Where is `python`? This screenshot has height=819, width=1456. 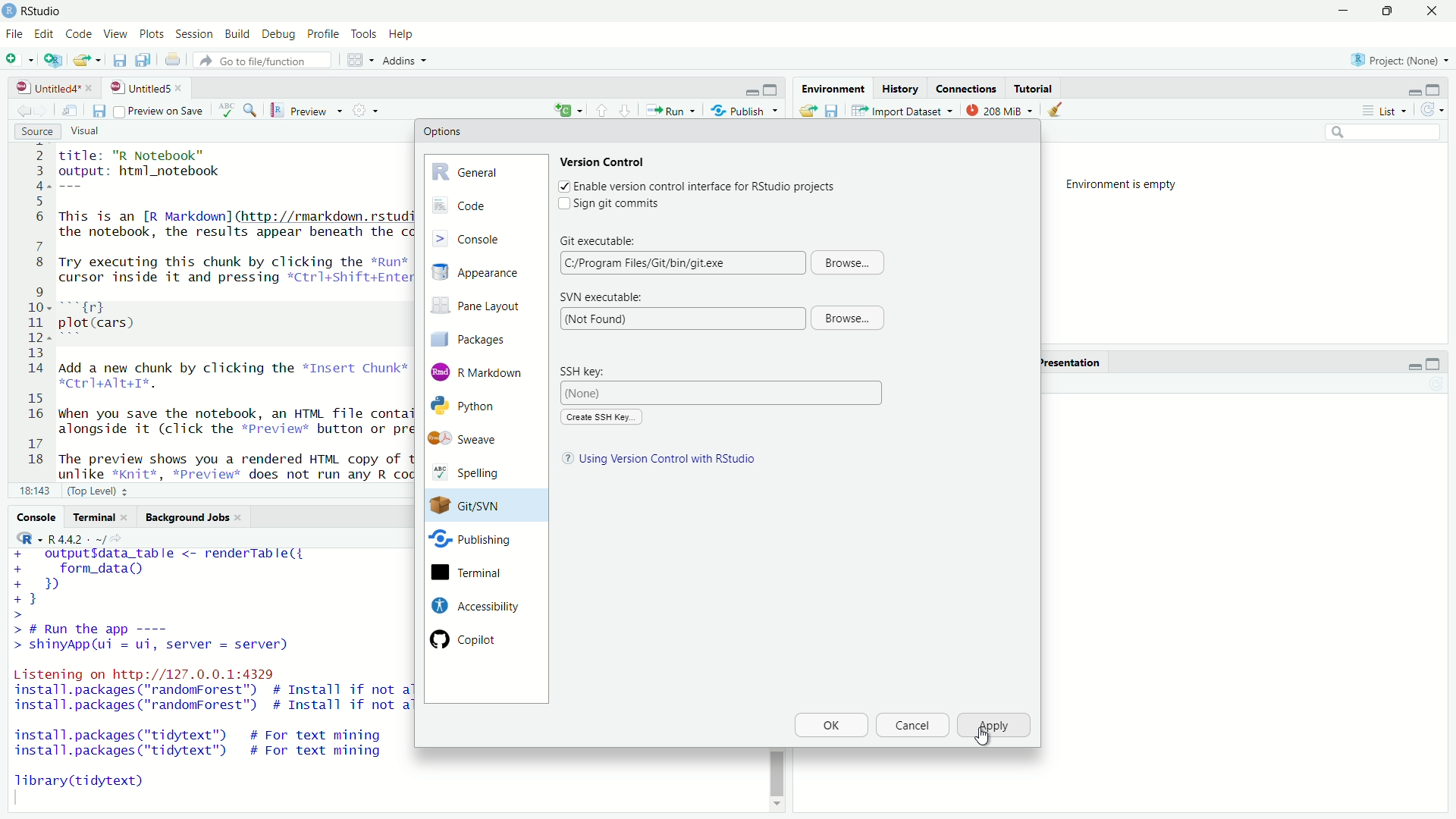
python is located at coordinates (476, 406).